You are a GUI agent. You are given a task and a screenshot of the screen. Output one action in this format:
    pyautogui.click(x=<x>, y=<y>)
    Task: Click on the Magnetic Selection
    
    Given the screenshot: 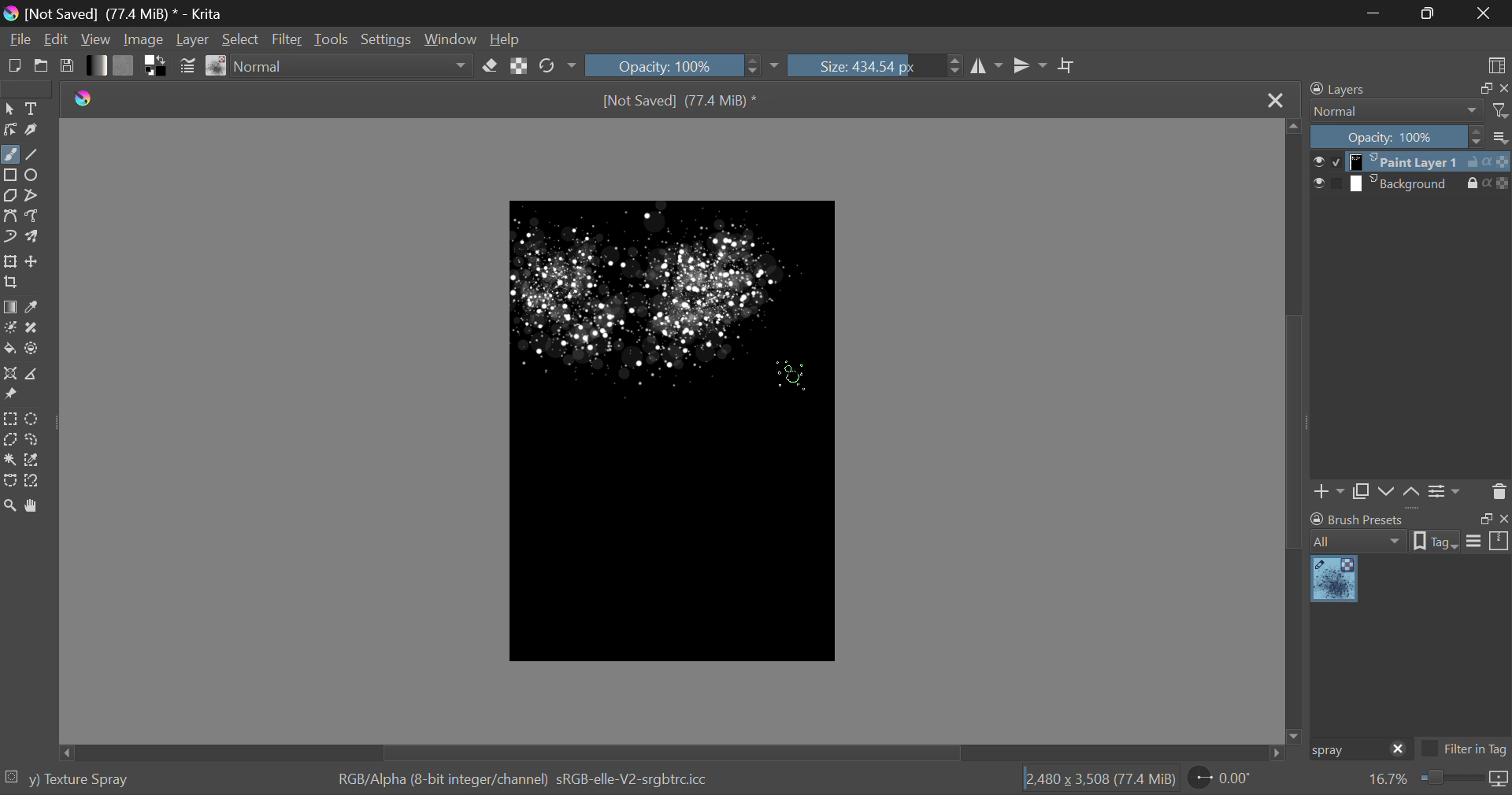 What is the action you would take?
    pyautogui.click(x=37, y=482)
    